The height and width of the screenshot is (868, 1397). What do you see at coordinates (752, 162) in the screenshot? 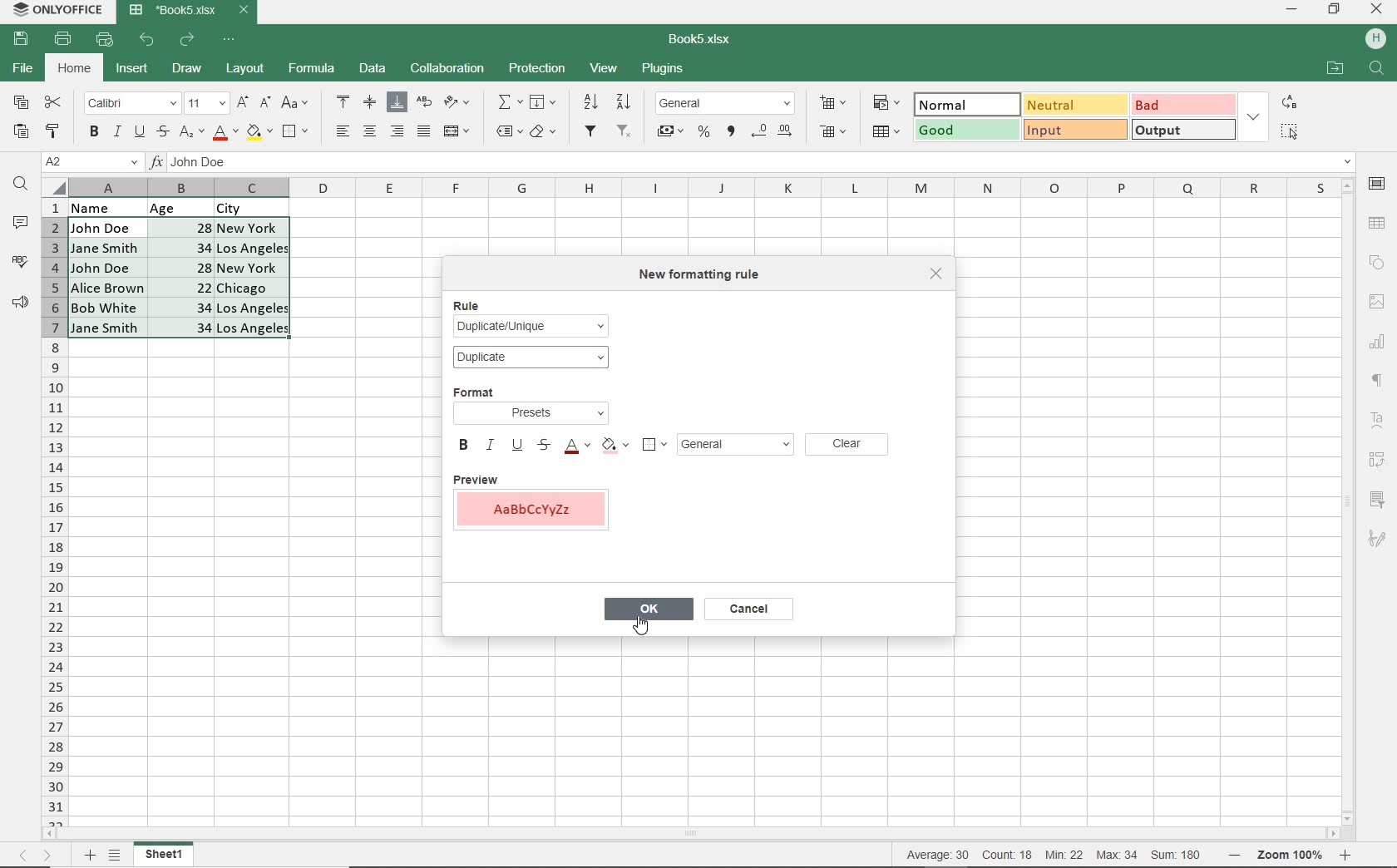
I see `INPUT FUNCTION` at bounding box center [752, 162].